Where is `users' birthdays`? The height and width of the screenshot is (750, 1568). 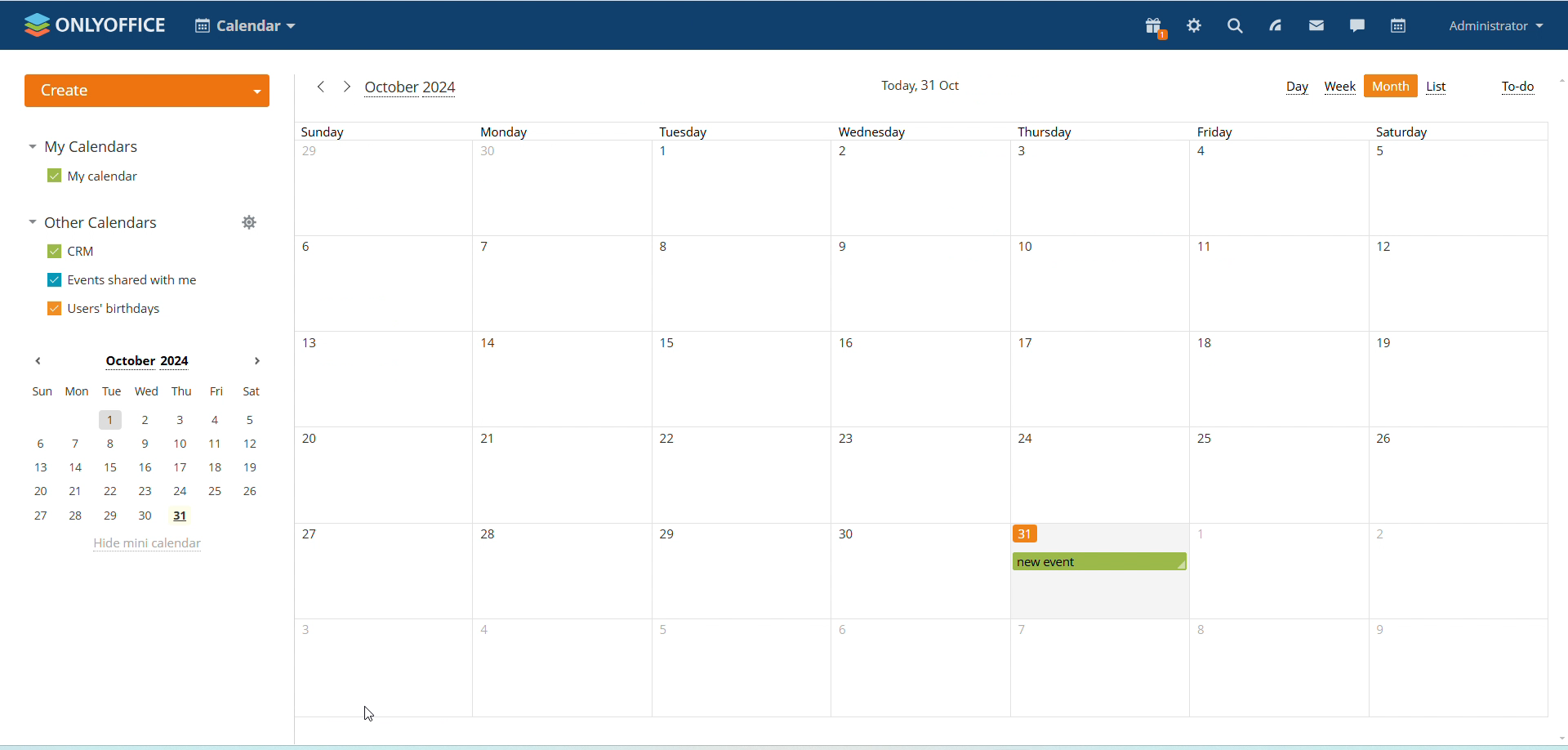
users' birthdays is located at coordinates (103, 310).